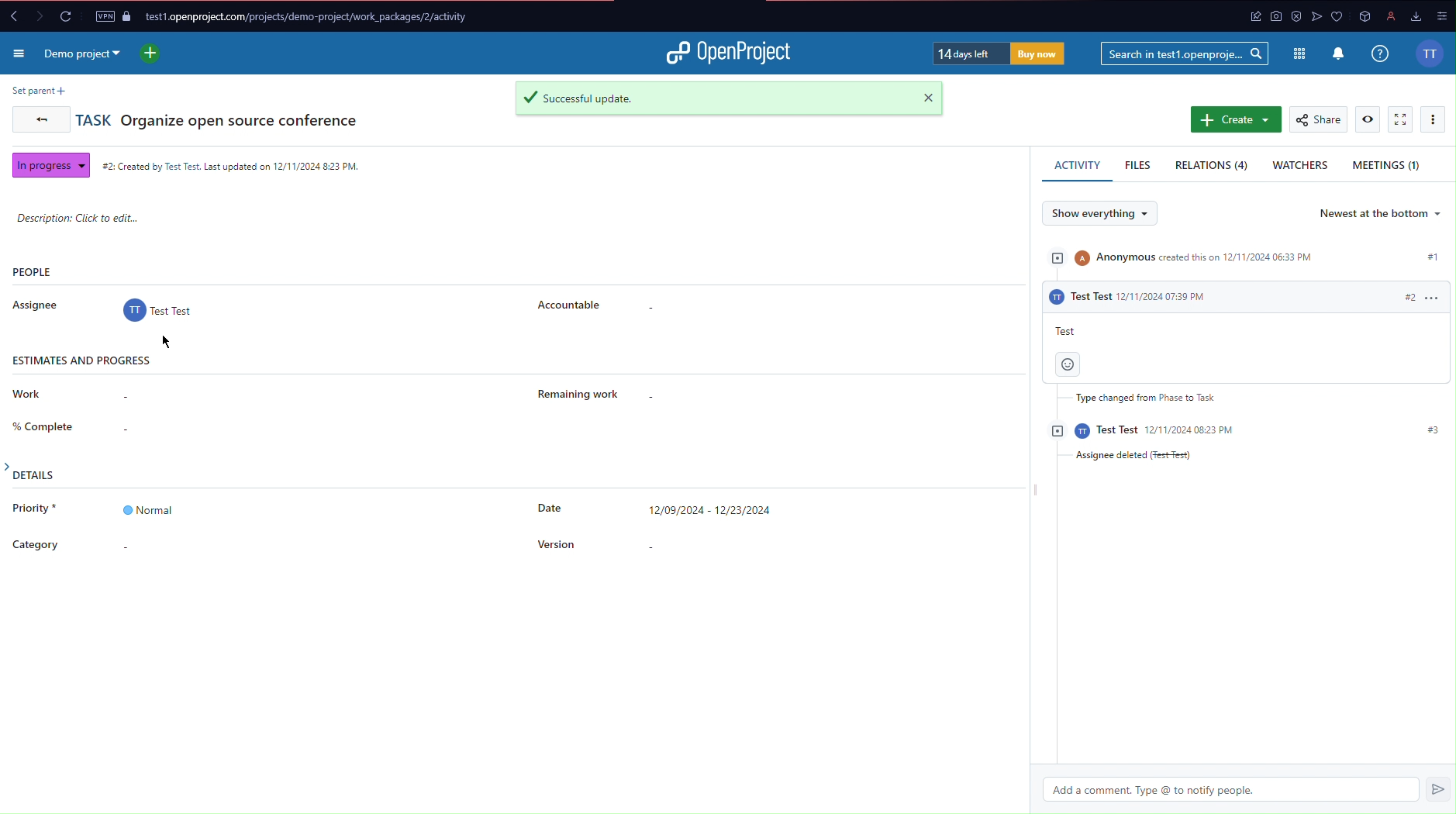 This screenshot has width=1456, height=814. I want to click on #2, so click(1392, 296).